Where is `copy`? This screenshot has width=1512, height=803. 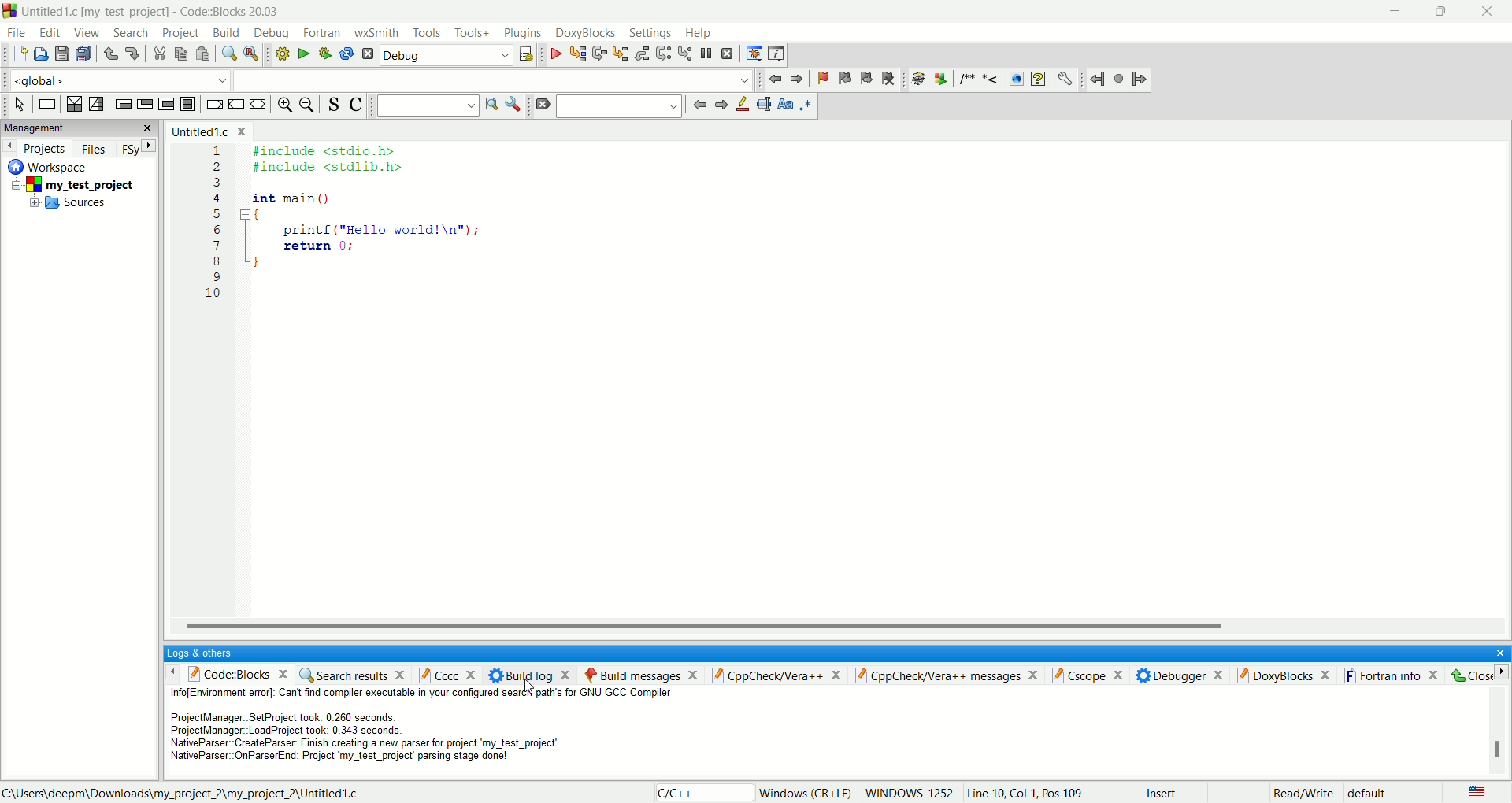 copy is located at coordinates (181, 55).